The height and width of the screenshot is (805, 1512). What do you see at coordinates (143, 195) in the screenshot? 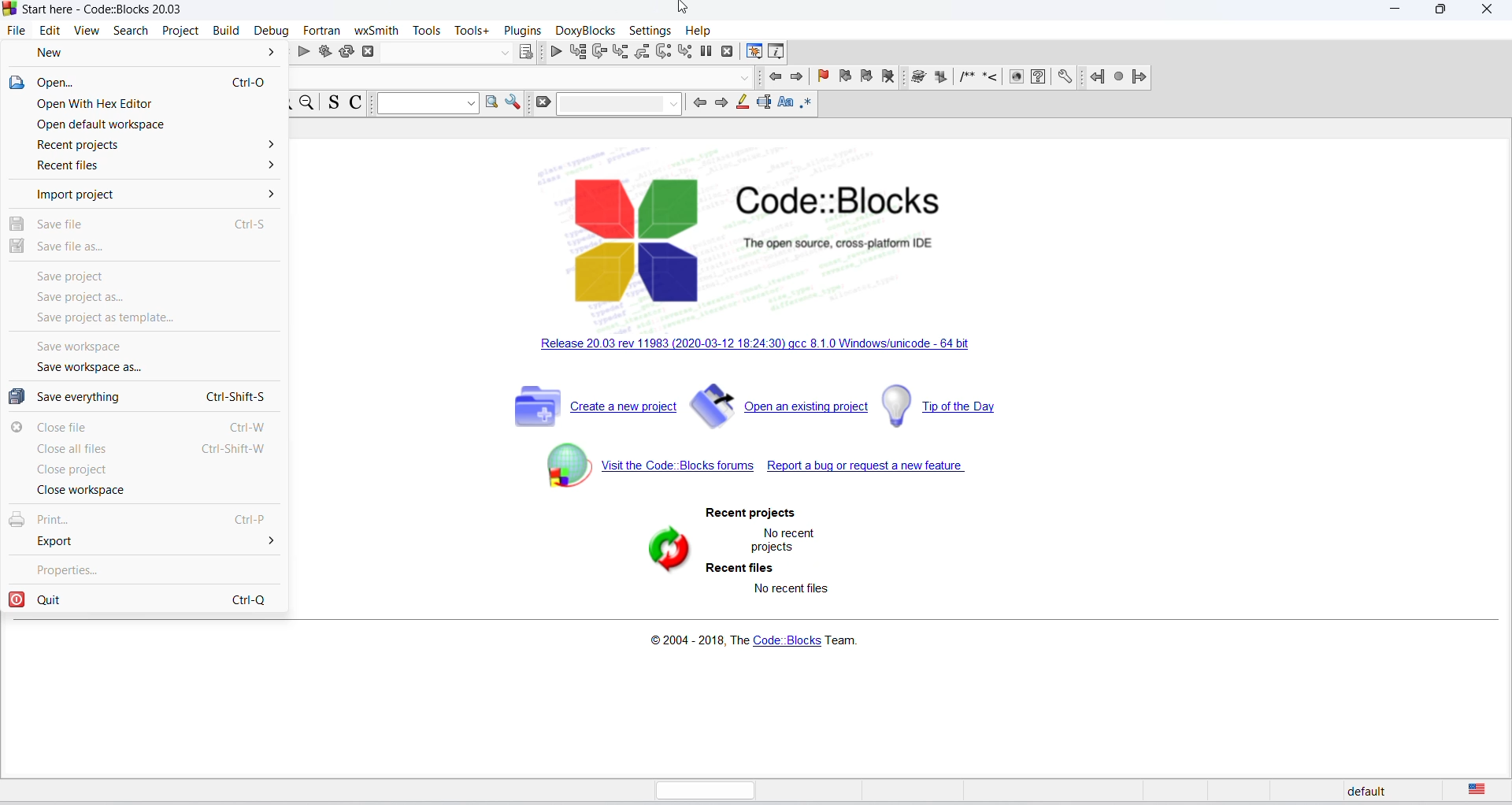
I see `import project` at bounding box center [143, 195].